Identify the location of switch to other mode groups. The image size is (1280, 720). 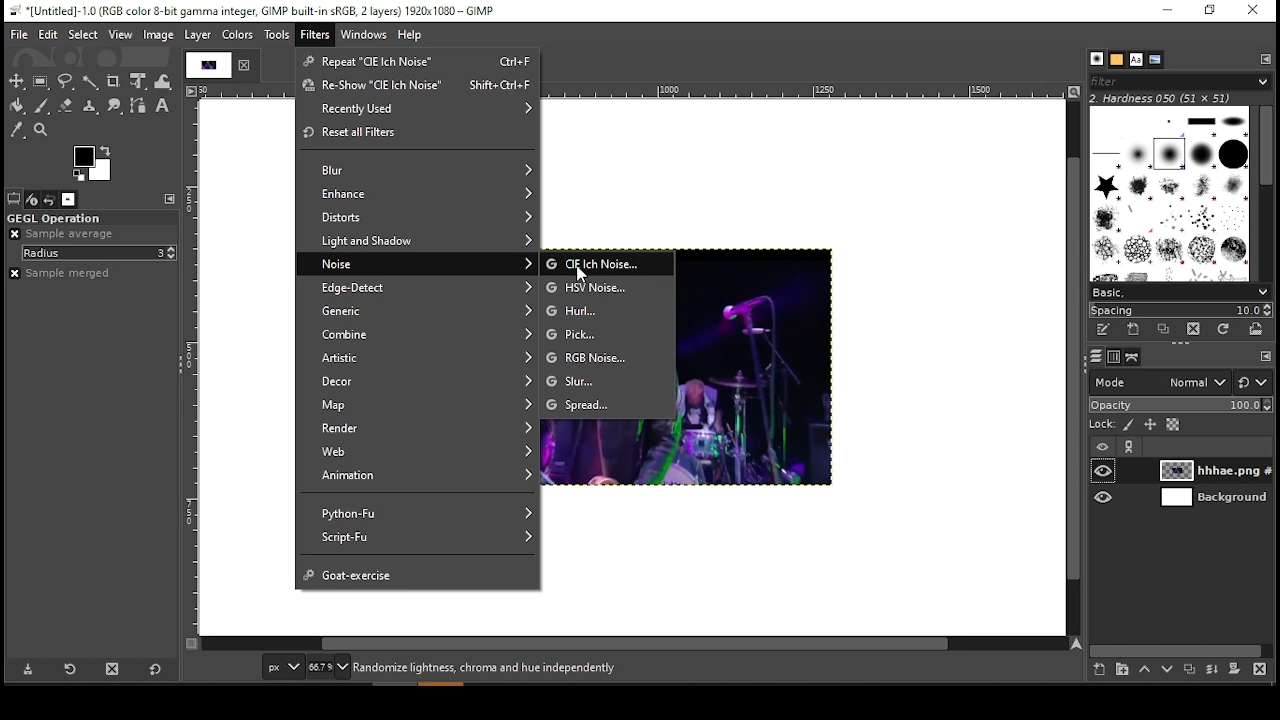
(1254, 381).